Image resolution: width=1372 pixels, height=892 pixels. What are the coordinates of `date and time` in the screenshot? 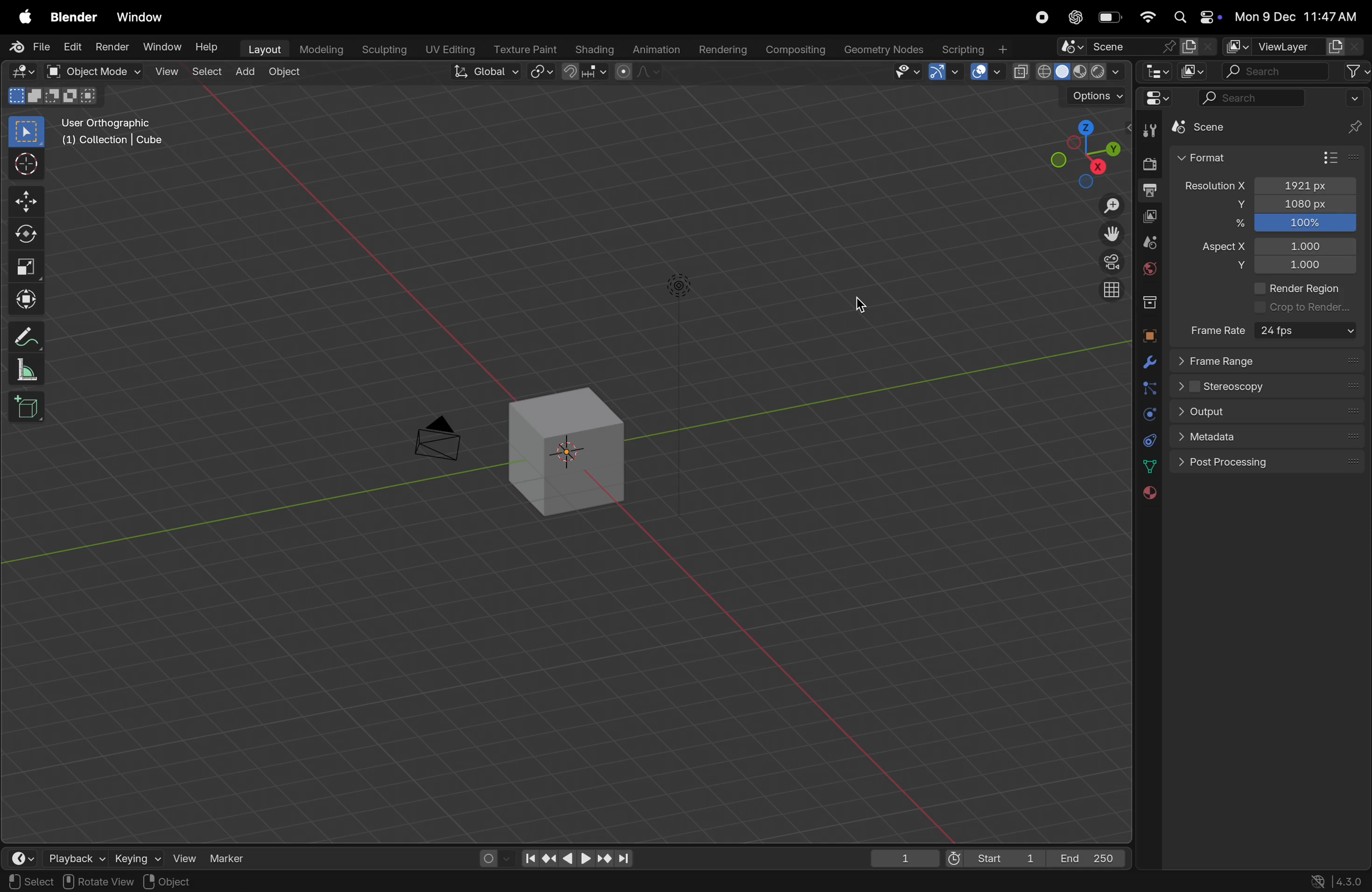 It's located at (1297, 16).